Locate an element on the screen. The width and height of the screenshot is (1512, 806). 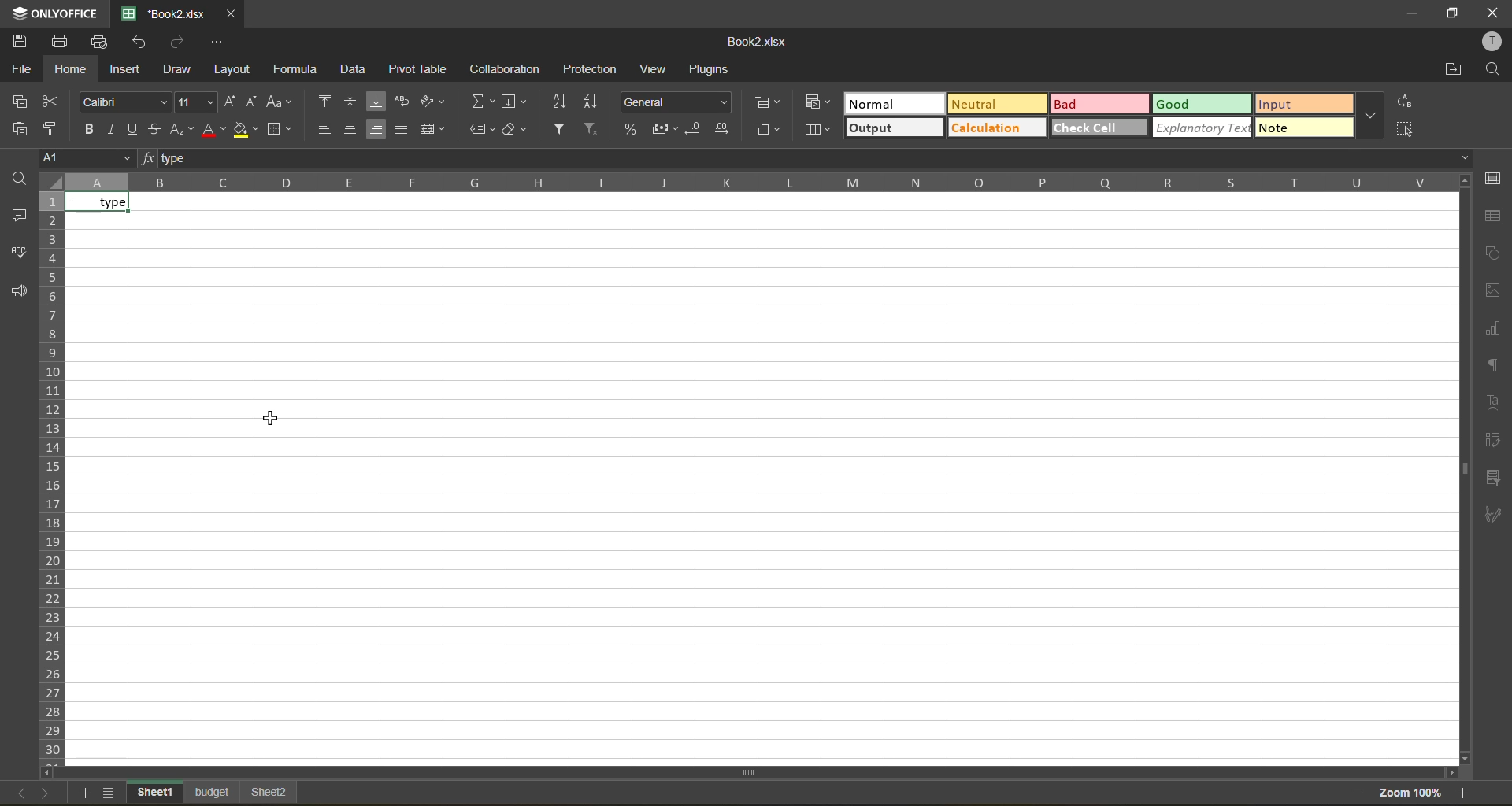
select all is located at coordinates (1407, 127).